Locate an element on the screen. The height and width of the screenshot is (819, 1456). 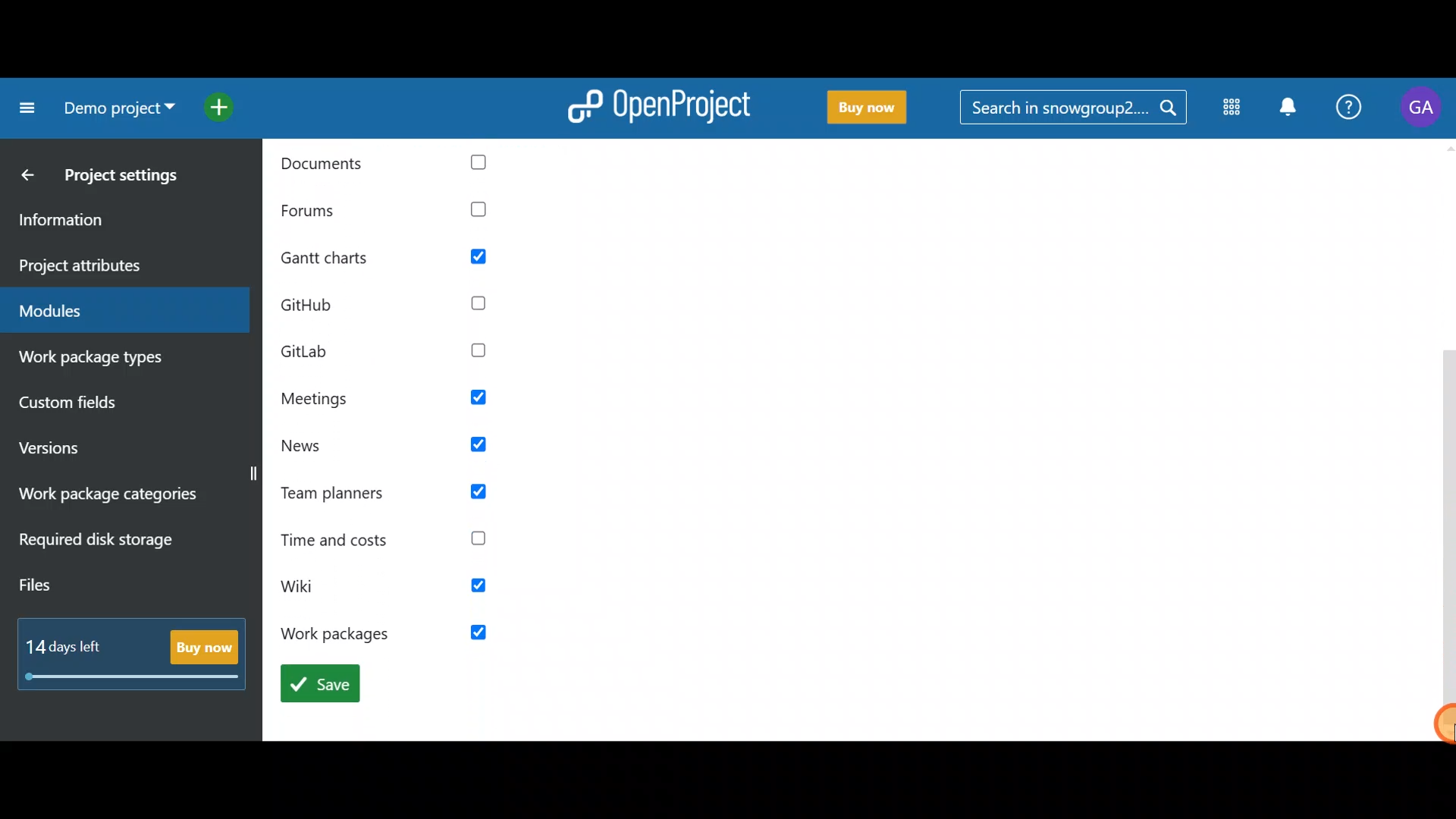
Buy now is located at coordinates (136, 649).